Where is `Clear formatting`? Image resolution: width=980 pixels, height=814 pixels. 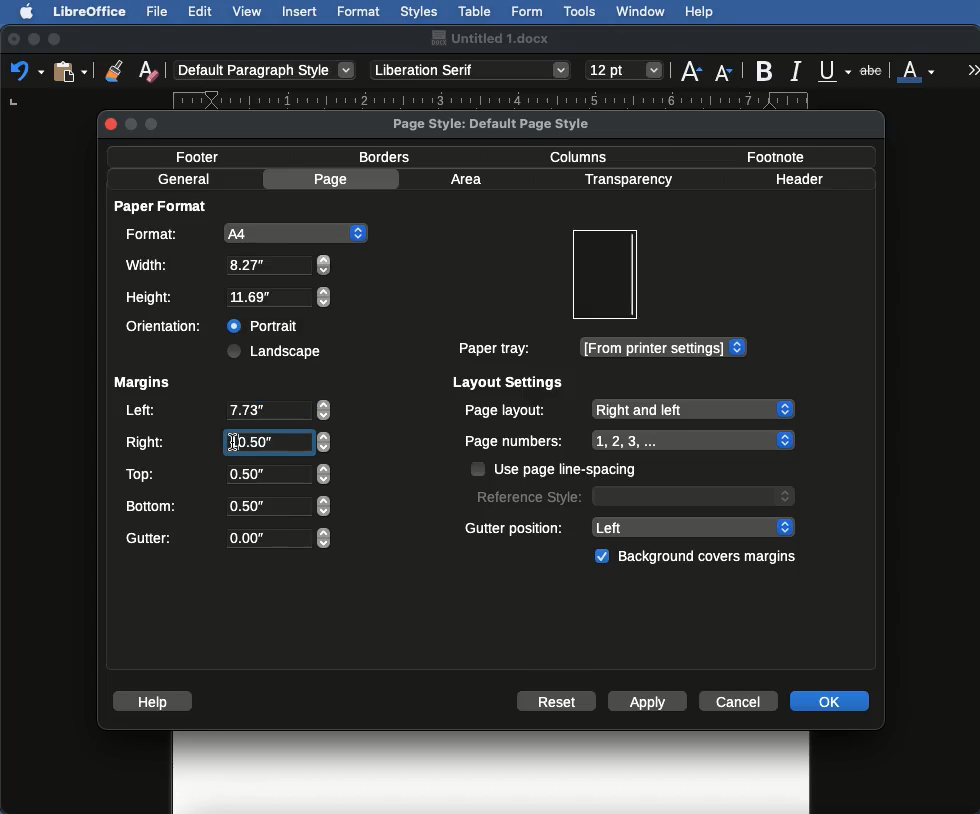 Clear formatting is located at coordinates (148, 69).